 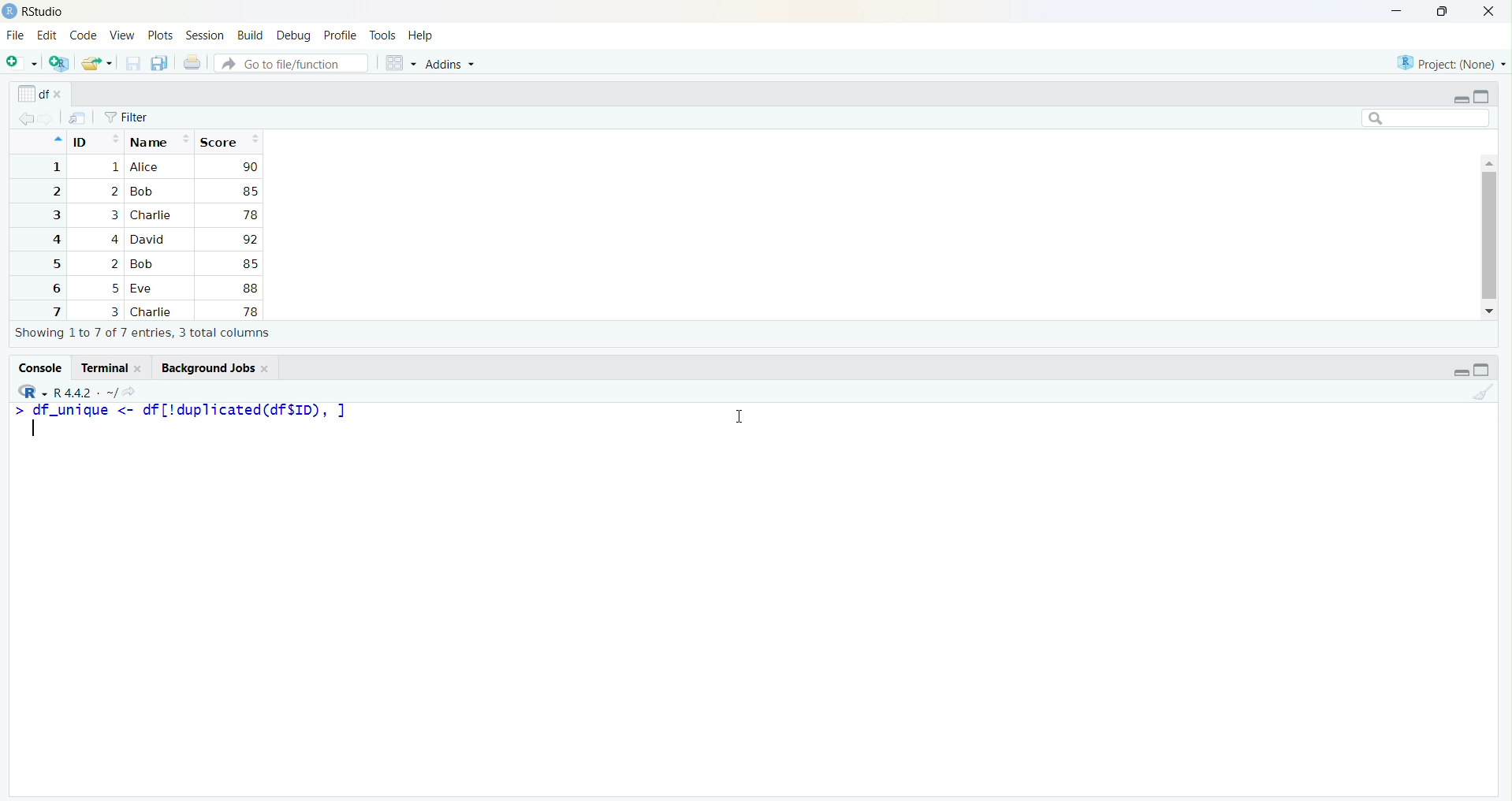 I want to click on background jobs, so click(x=204, y=367).